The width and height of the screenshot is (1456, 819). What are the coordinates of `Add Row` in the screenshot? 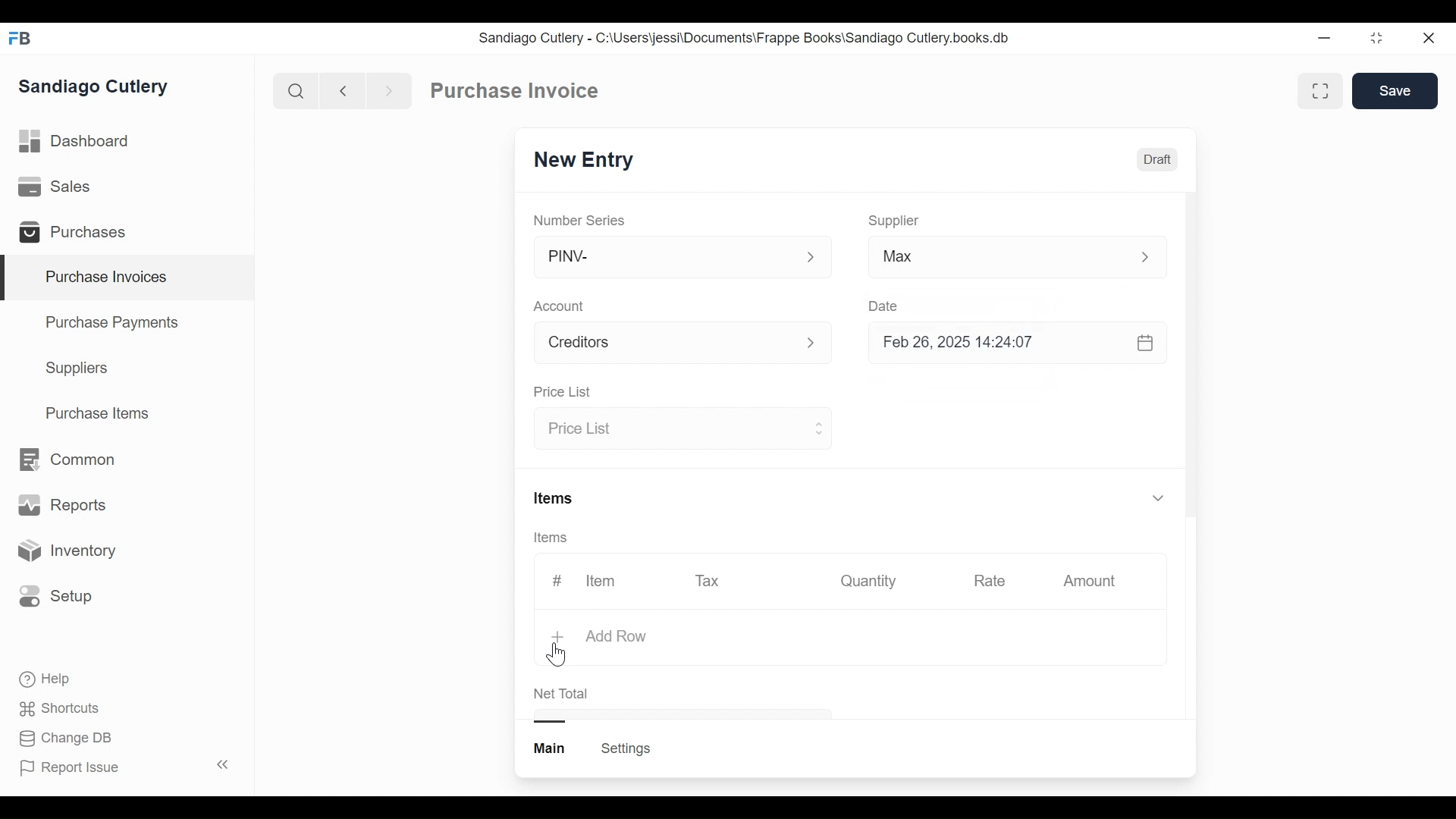 It's located at (617, 635).